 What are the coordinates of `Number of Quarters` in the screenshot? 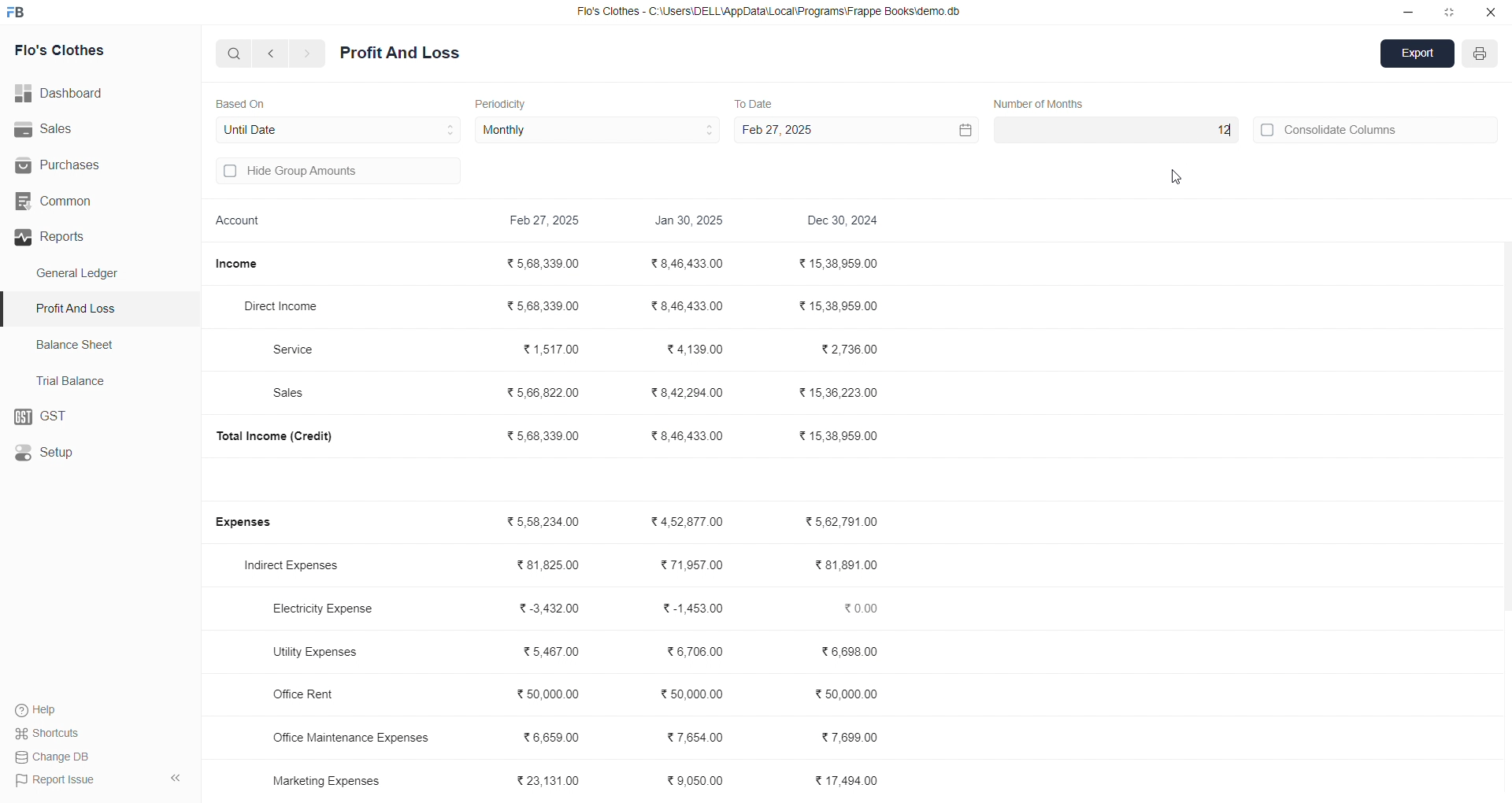 It's located at (1043, 103).